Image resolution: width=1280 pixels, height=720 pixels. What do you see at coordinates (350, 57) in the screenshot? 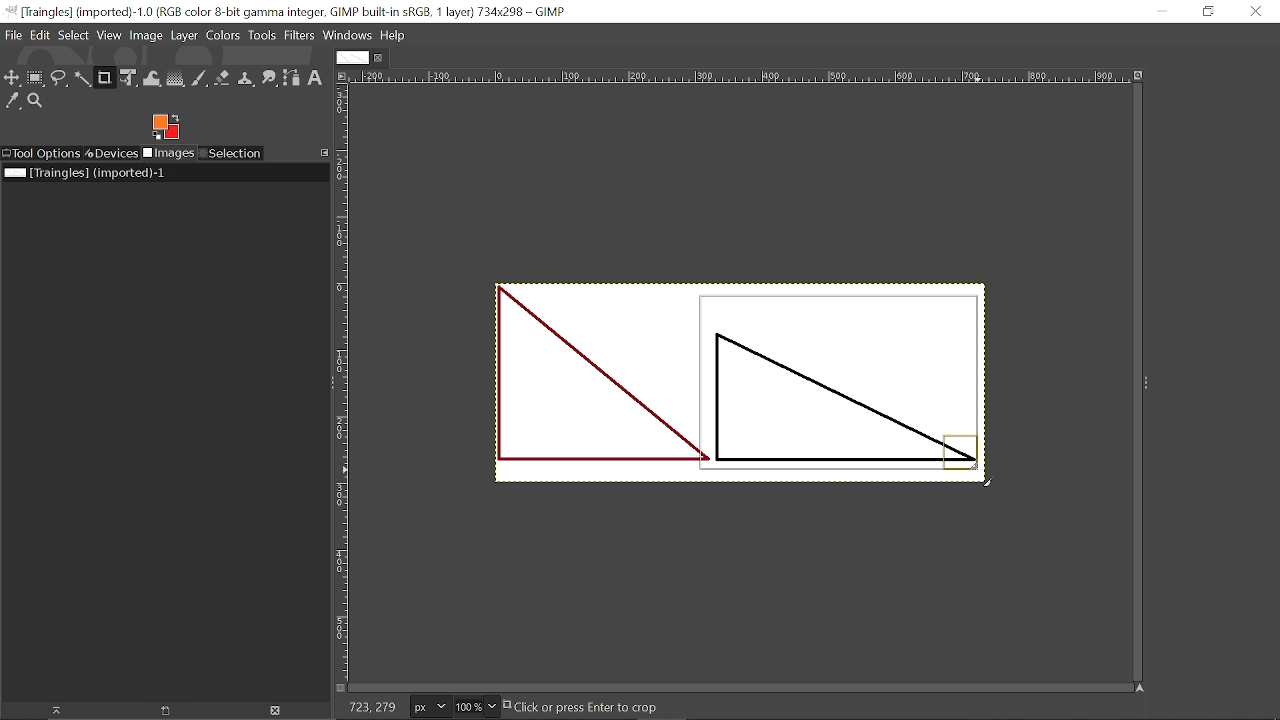
I see `Current tab` at bounding box center [350, 57].